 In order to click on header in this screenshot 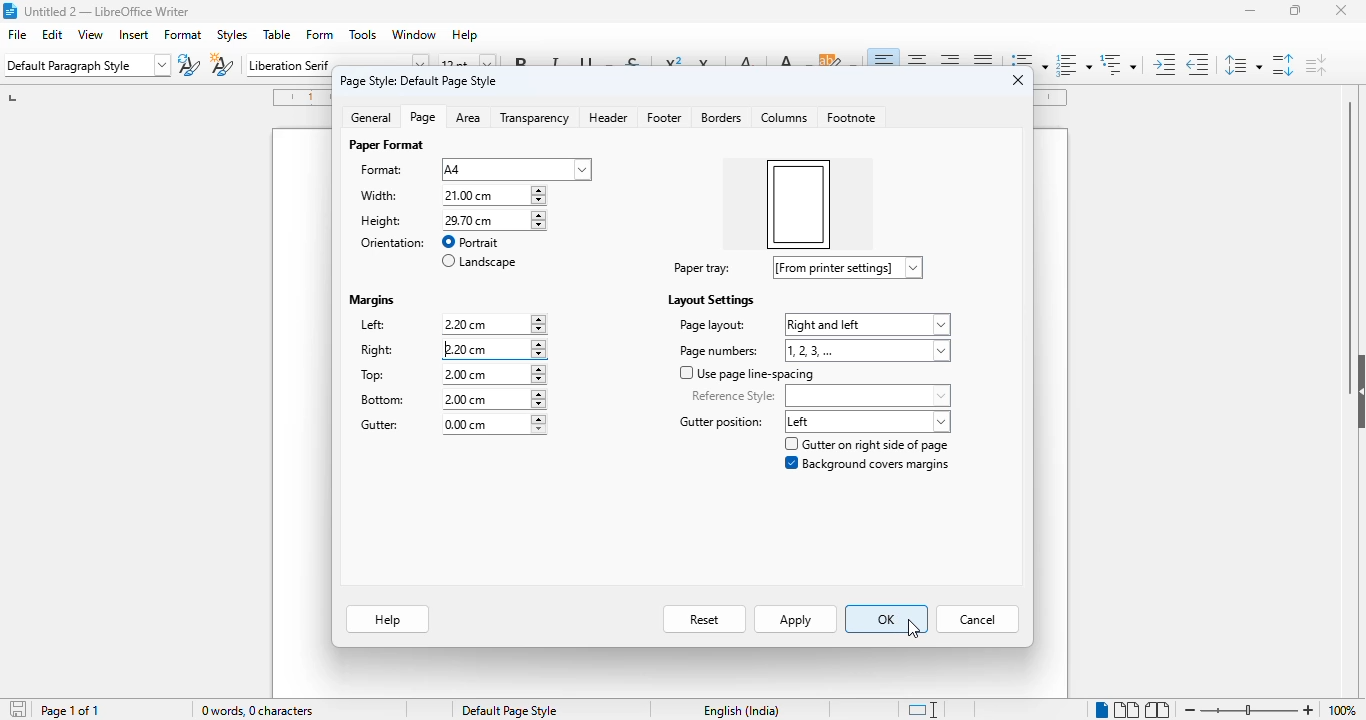, I will do `click(608, 117)`.